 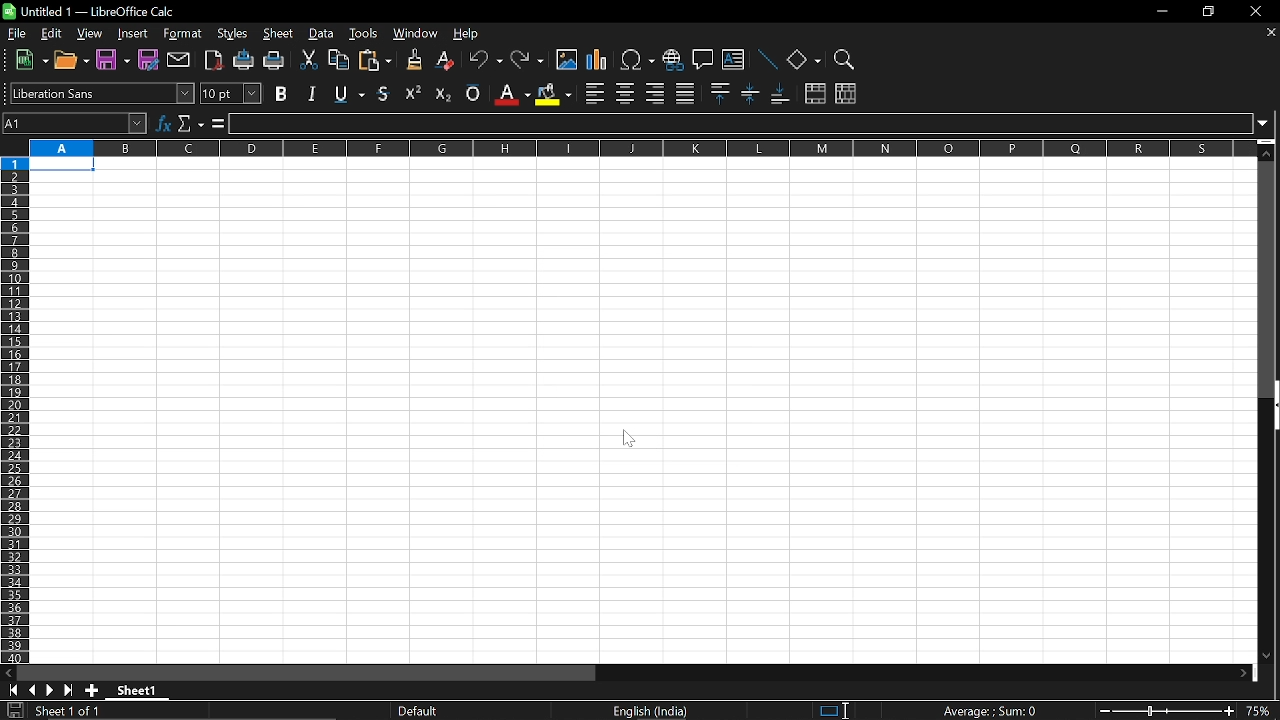 What do you see at coordinates (283, 93) in the screenshot?
I see `bold` at bounding box center [283, 93].